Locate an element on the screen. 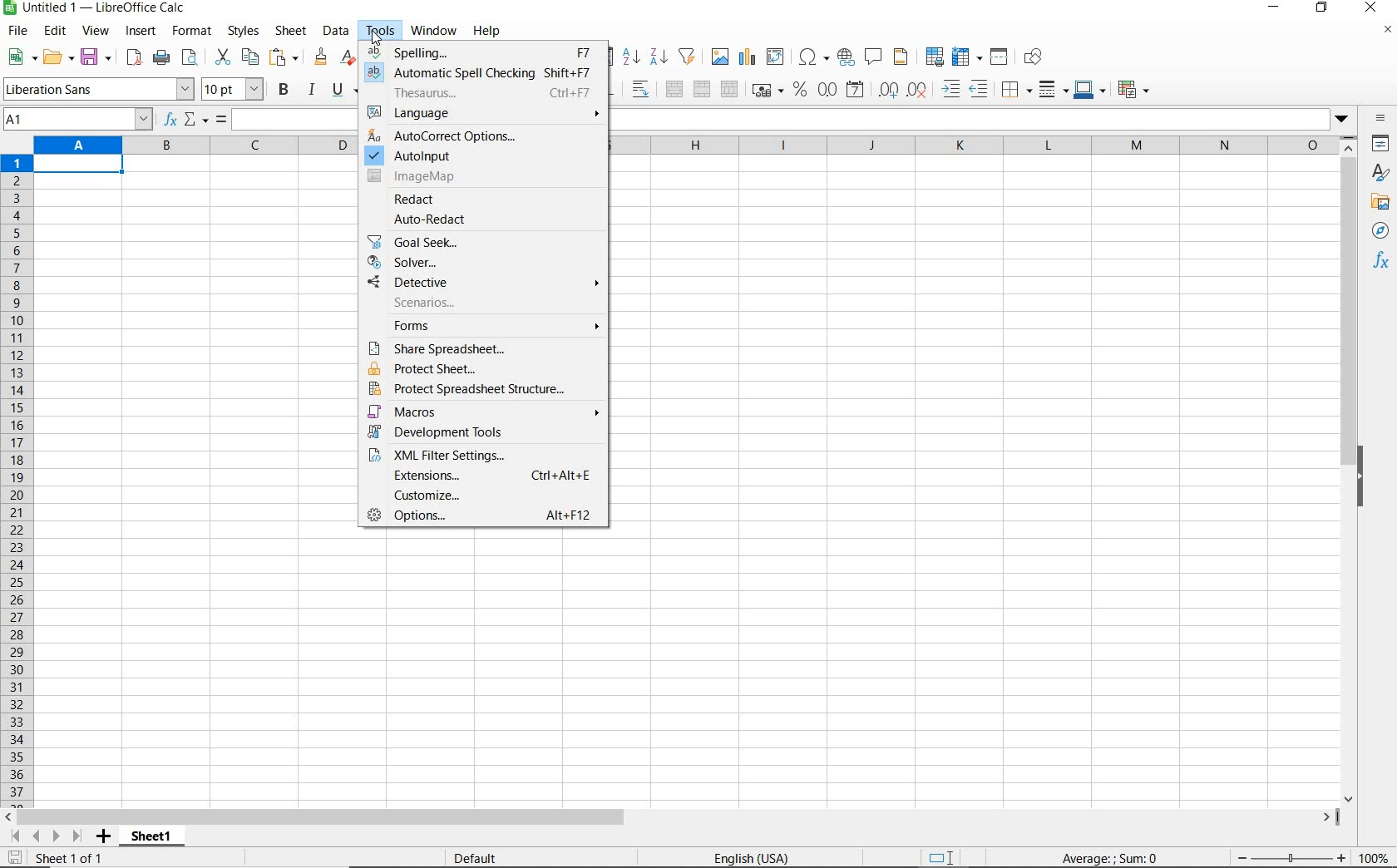  insert comment is located at coordinates (872, 57).